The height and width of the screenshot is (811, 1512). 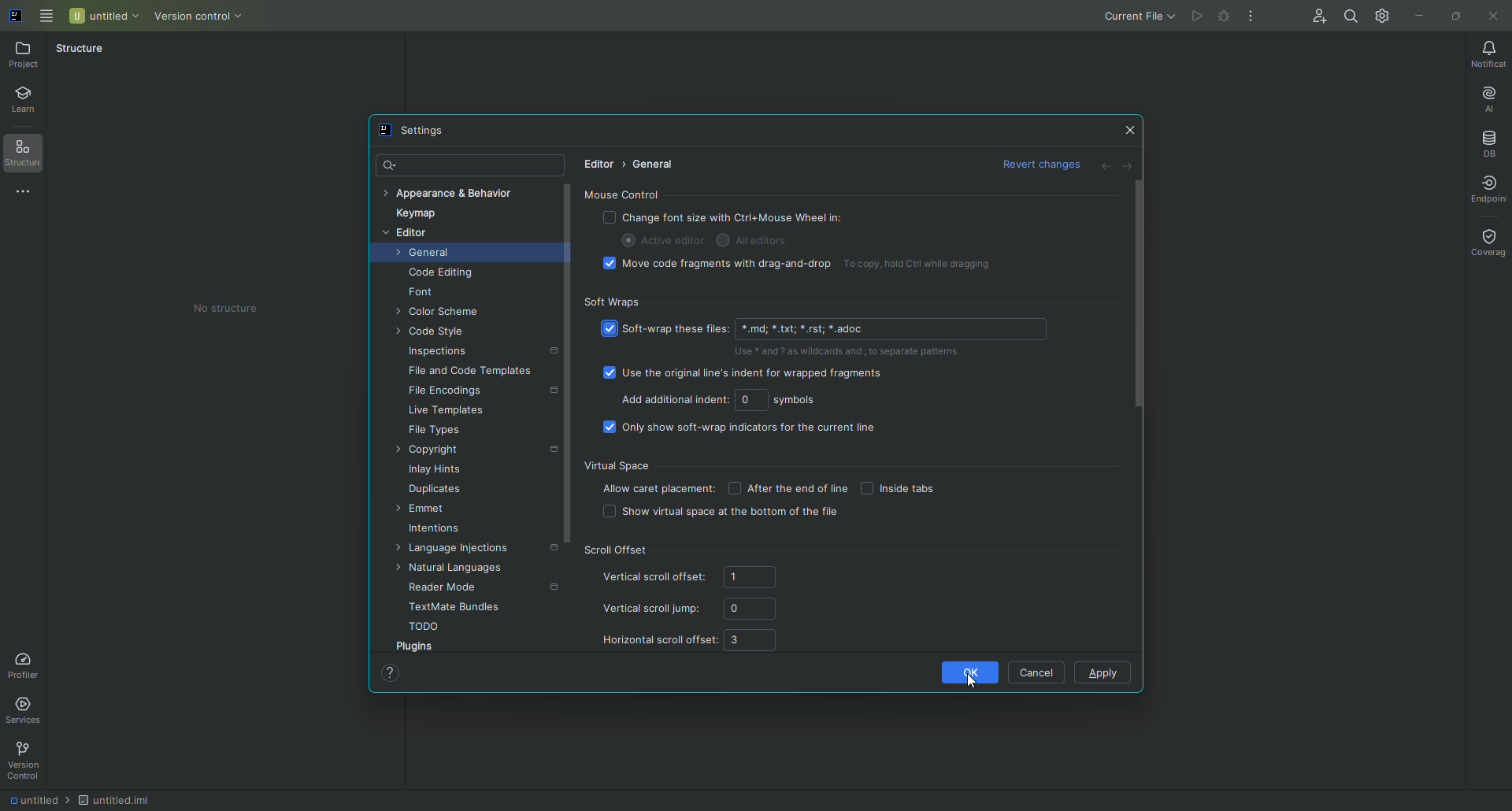 What do you see at coordinates (410, 234) in the screenshot?
I see `Editor` at bounding box center [410, 234].